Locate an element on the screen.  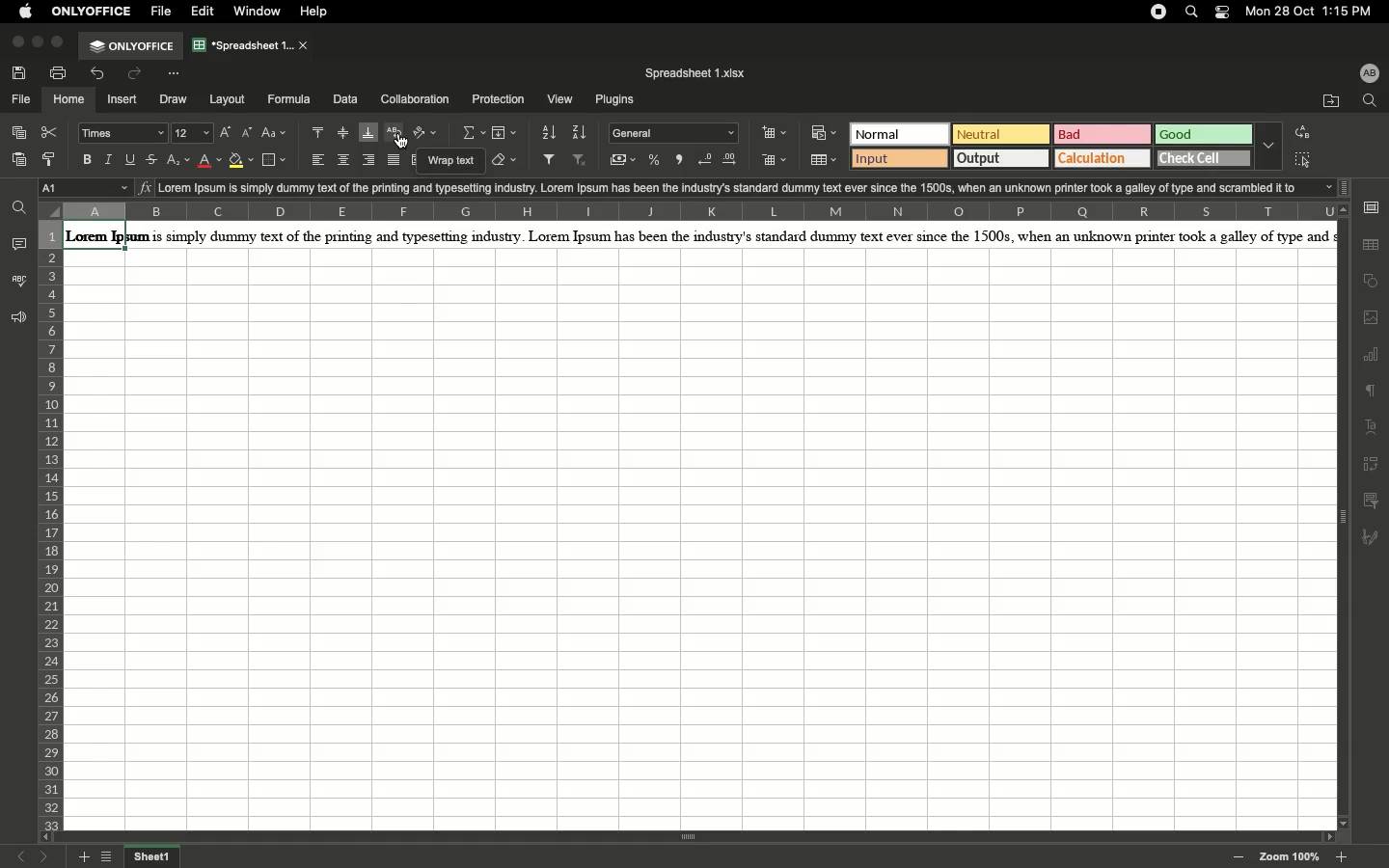
No filter is located at coordinates (584, 161).